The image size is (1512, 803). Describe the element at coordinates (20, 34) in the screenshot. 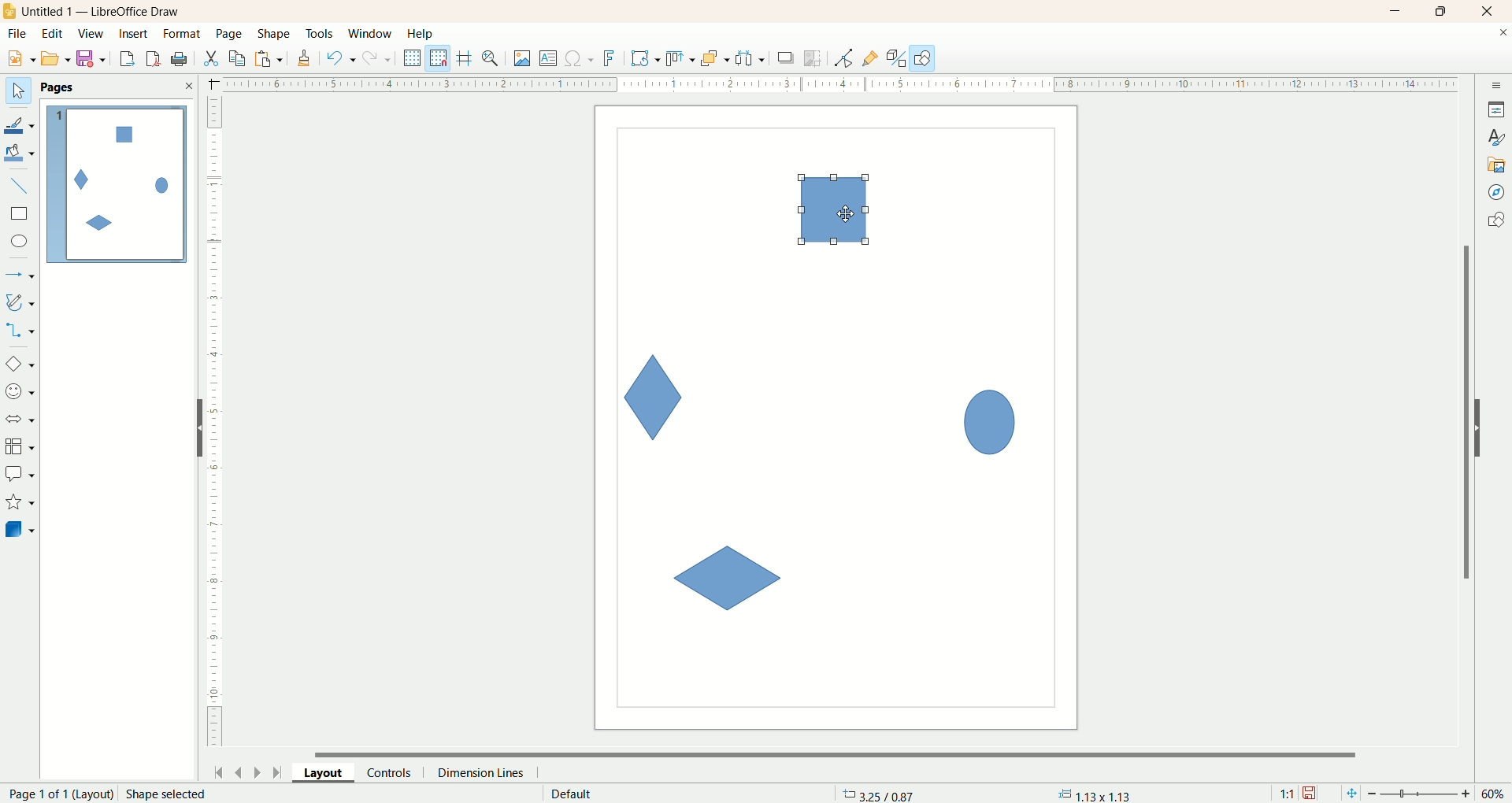

I see `file` at that location.